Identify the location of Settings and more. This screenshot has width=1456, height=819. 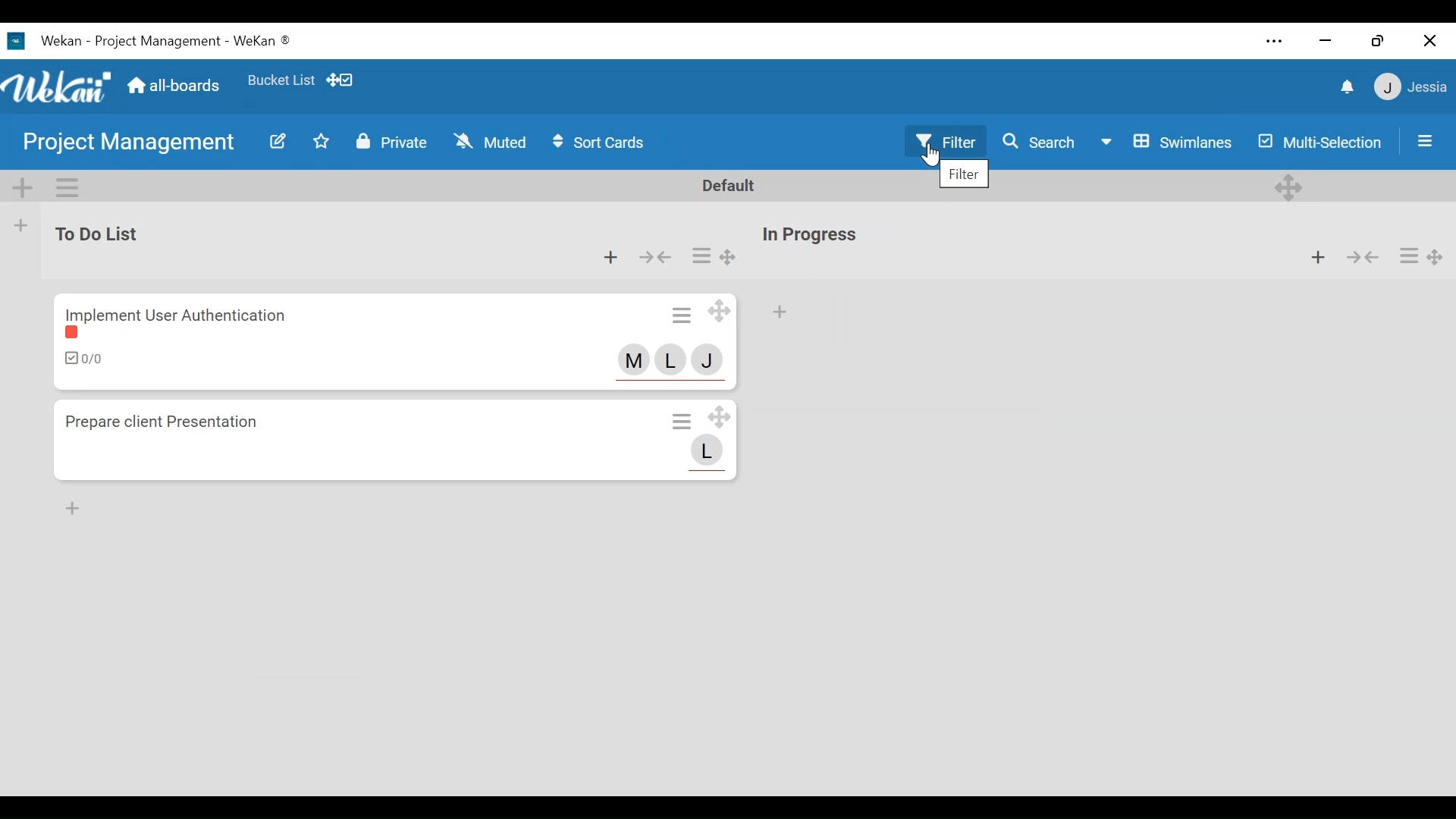
(1273, 42).